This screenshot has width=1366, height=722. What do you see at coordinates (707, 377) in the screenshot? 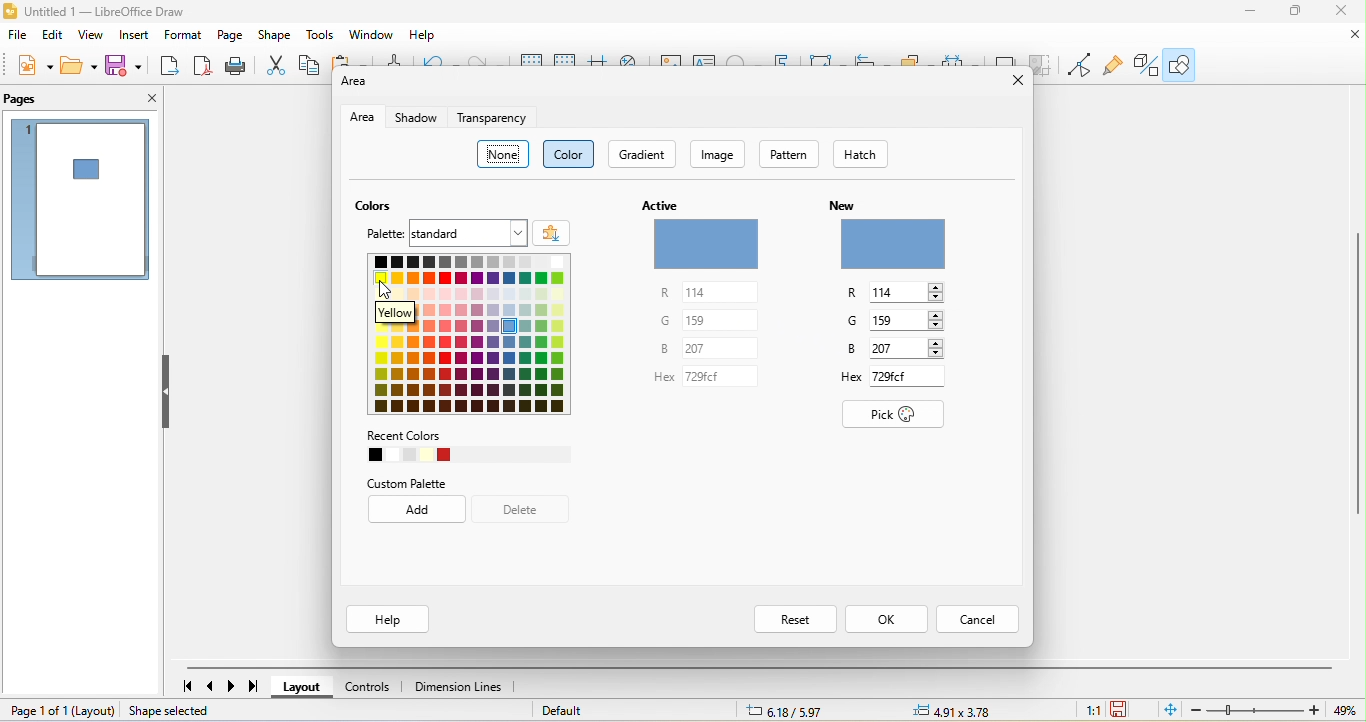
I see `hex 729 cf` at bounding box center [707, 377].